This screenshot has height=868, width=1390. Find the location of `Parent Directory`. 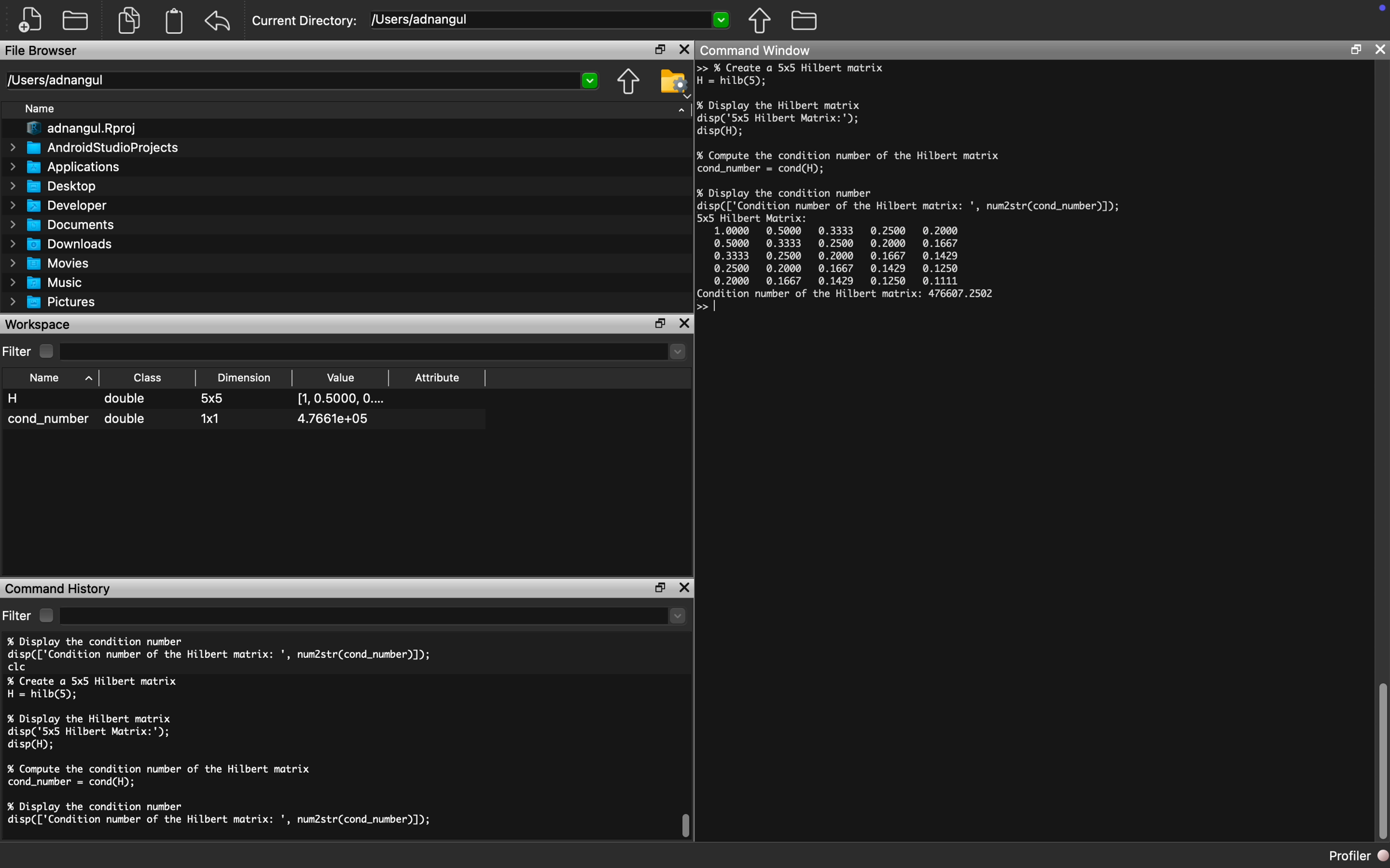

Parent Directory is located at coordinates (760, 21).